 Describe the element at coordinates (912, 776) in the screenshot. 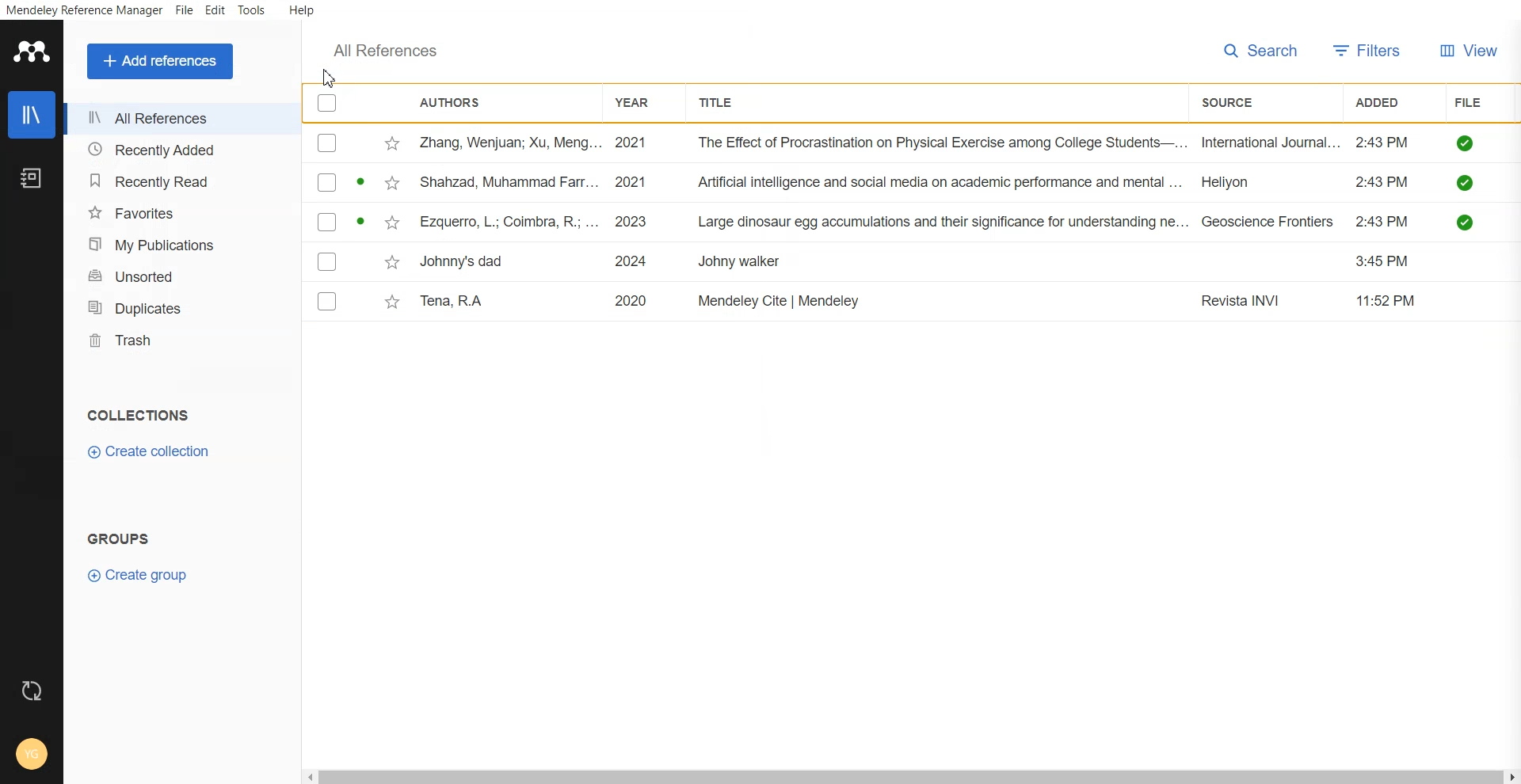

I see `Horizontal scroll bar` at that location.